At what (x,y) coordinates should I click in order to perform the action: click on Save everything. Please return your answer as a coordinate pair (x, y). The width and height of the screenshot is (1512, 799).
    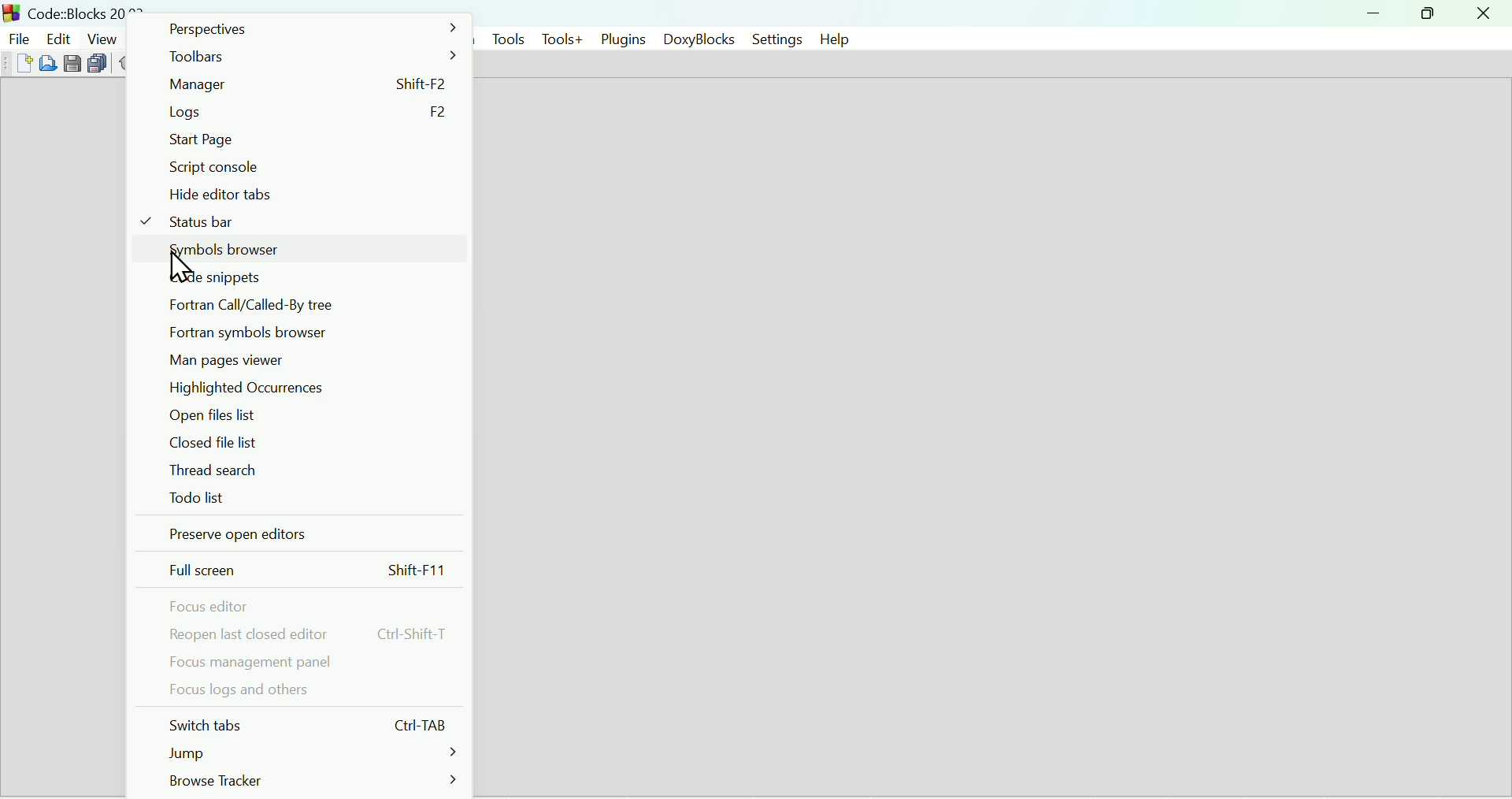
    Looking at the image, I should click on (99, 65).